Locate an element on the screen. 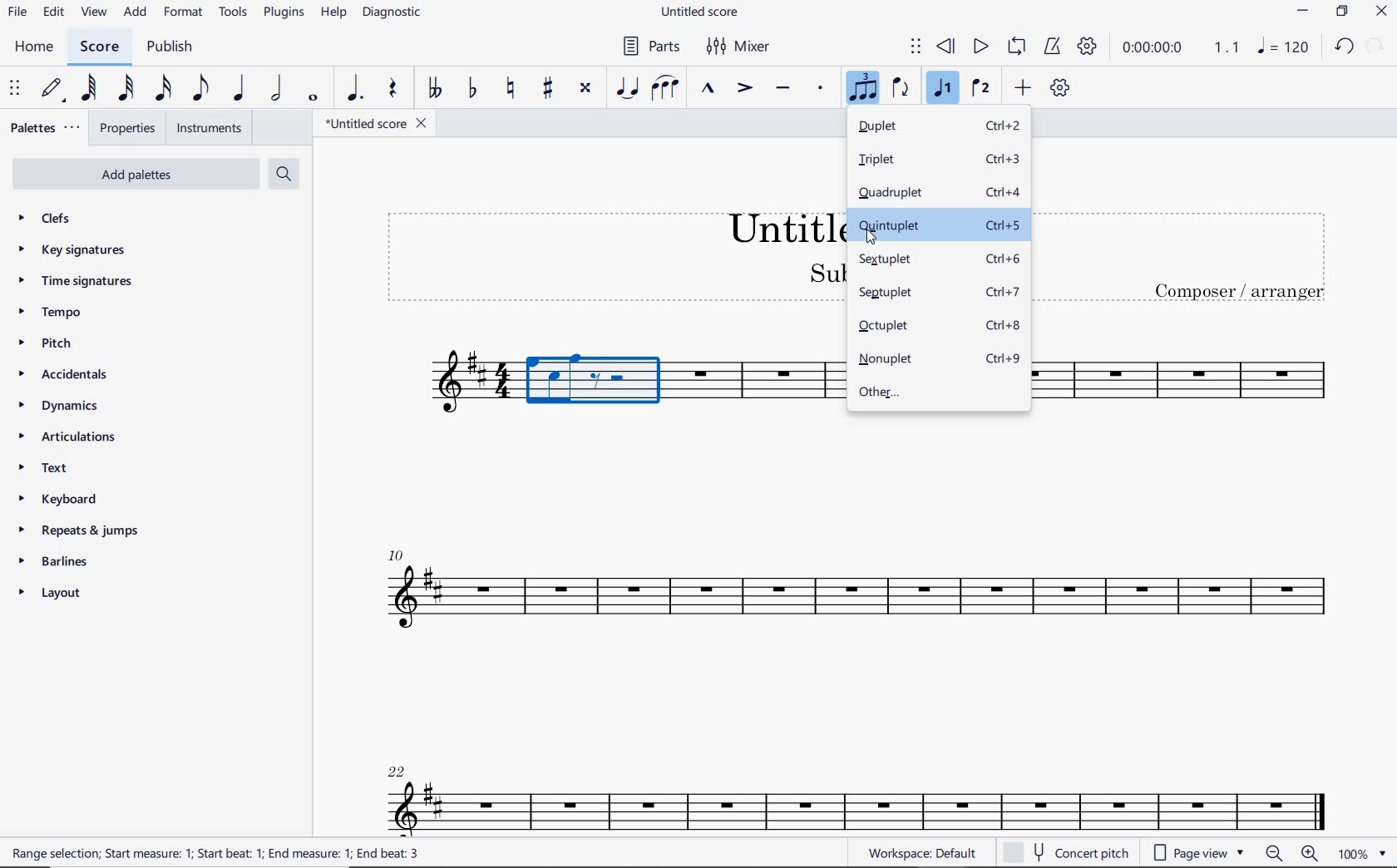  INSTRUMENT: TENOR SAXOPHONE is located at coordinates (852, 645).